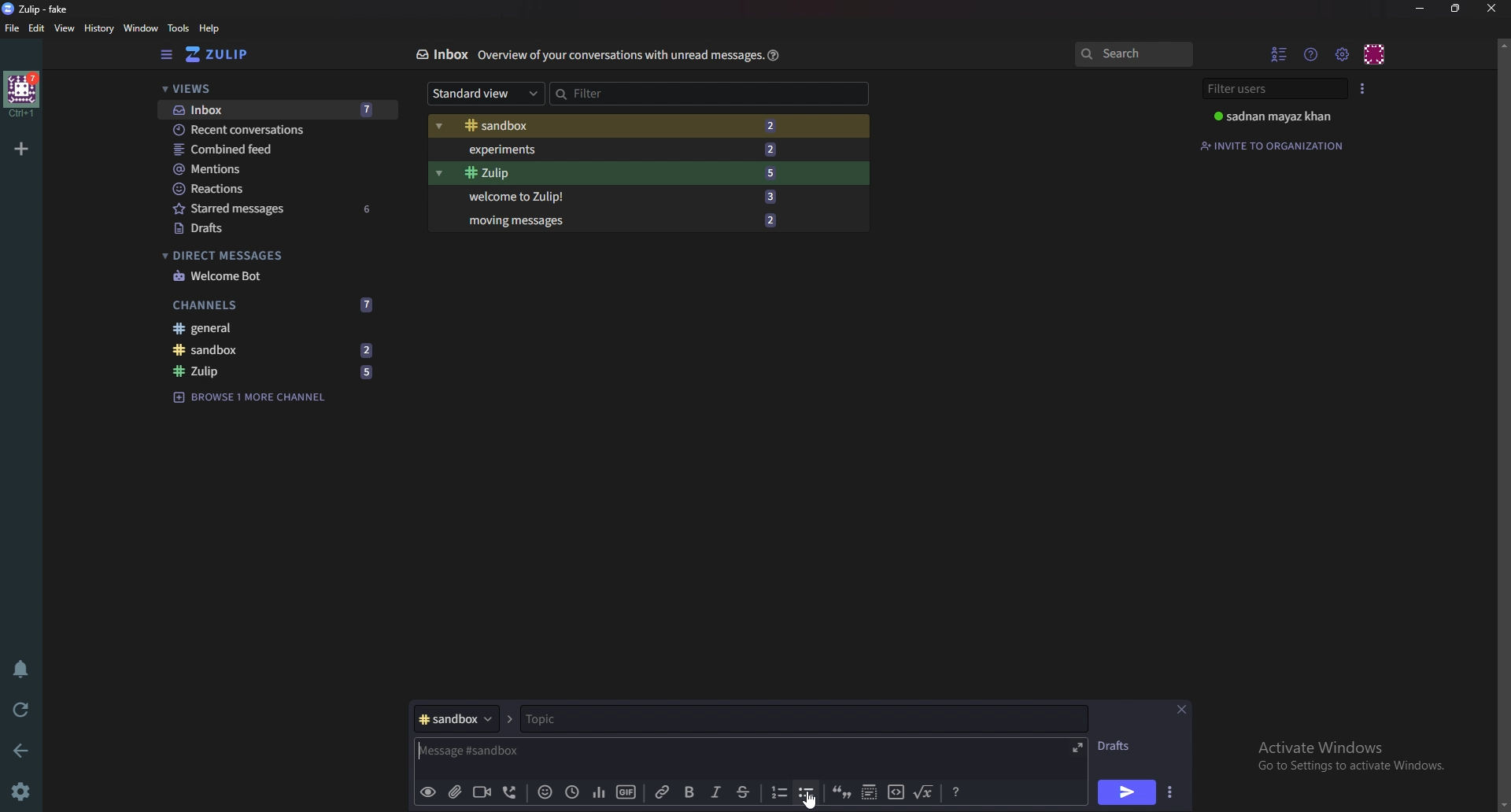 This screenshot has height=812, width=1511. I want to click on Video call, so click(481, 791).